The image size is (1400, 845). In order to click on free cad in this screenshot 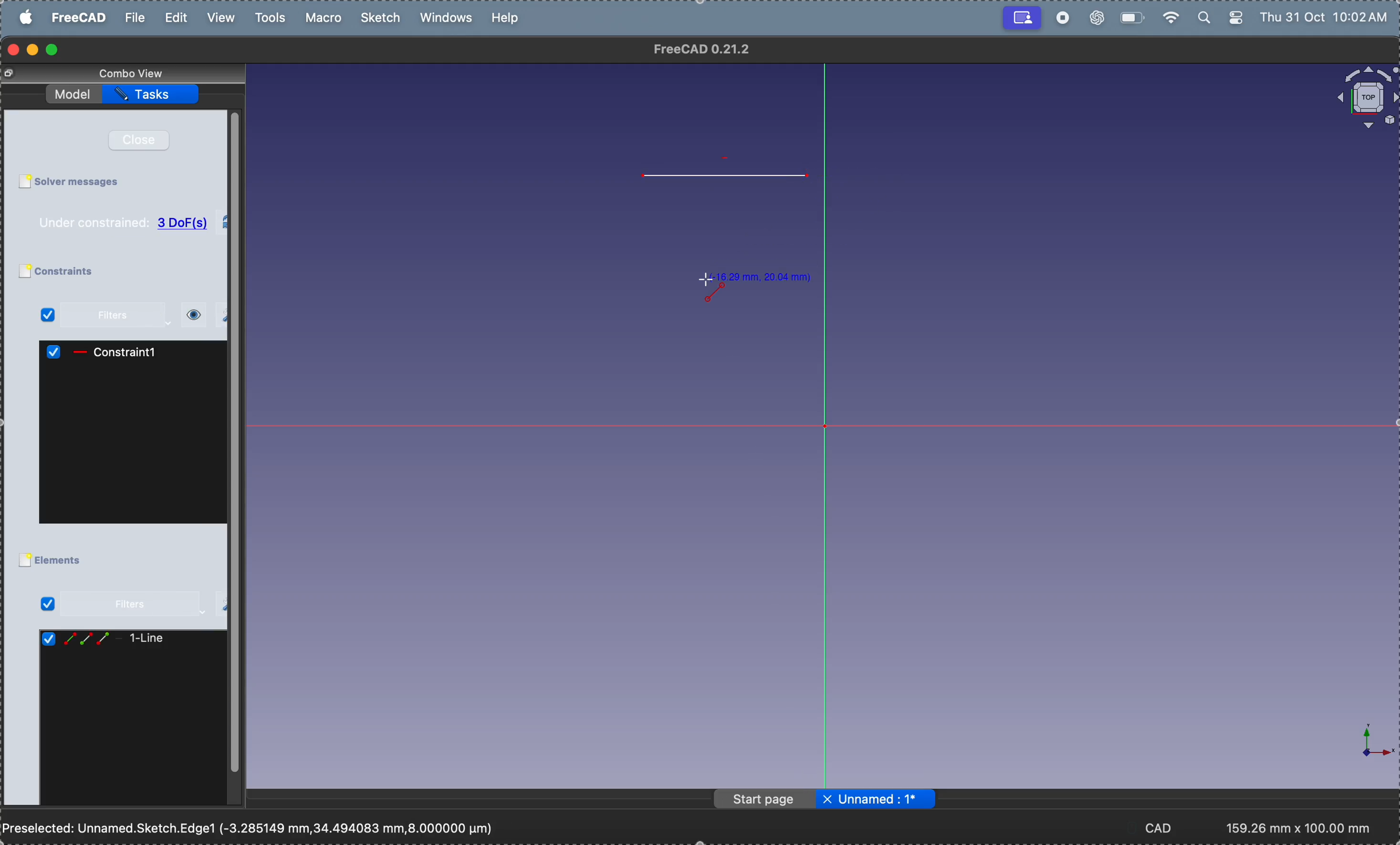, I will do `click(81, 17)`.